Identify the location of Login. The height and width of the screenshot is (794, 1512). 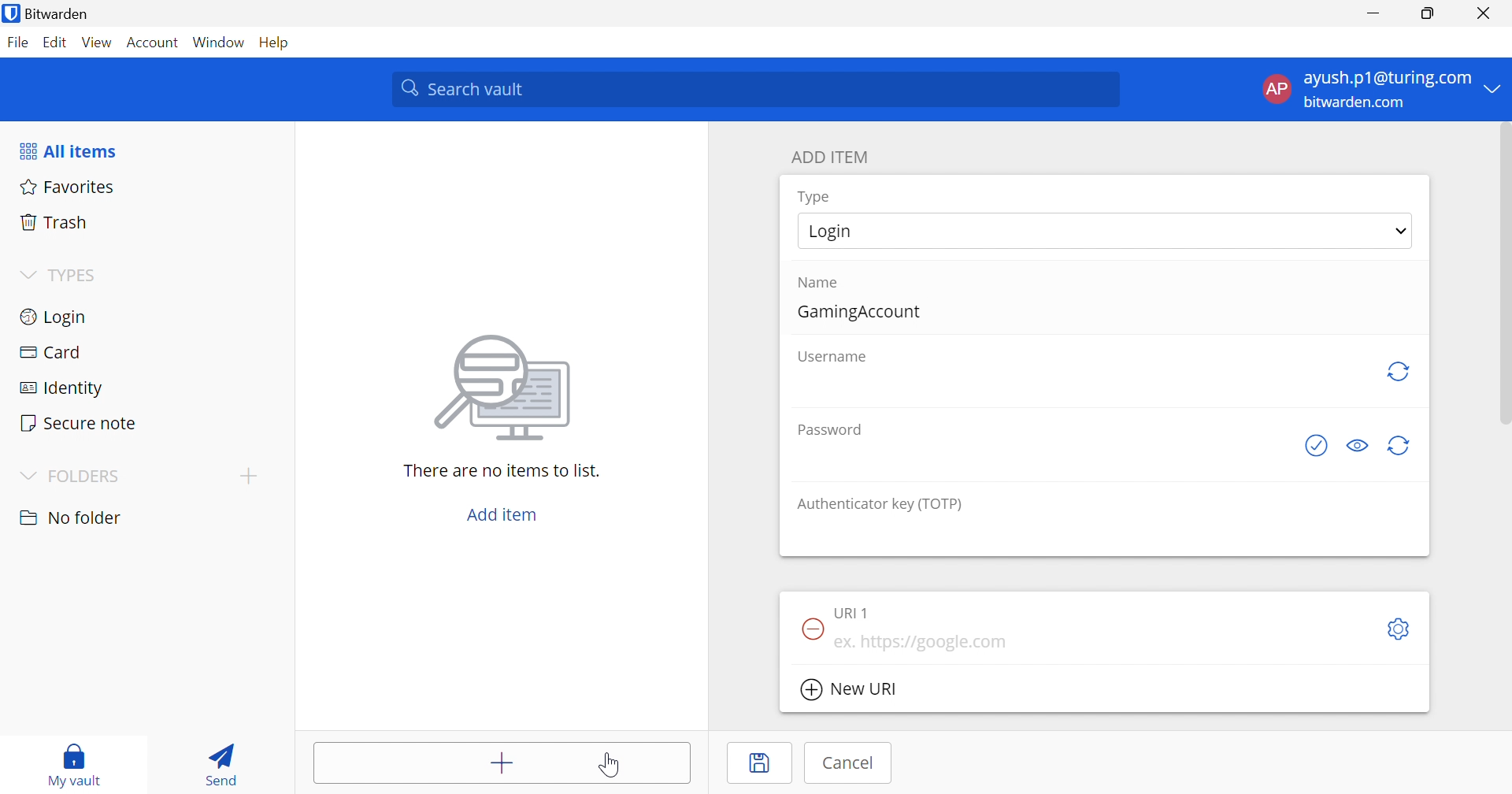
(834, 232).